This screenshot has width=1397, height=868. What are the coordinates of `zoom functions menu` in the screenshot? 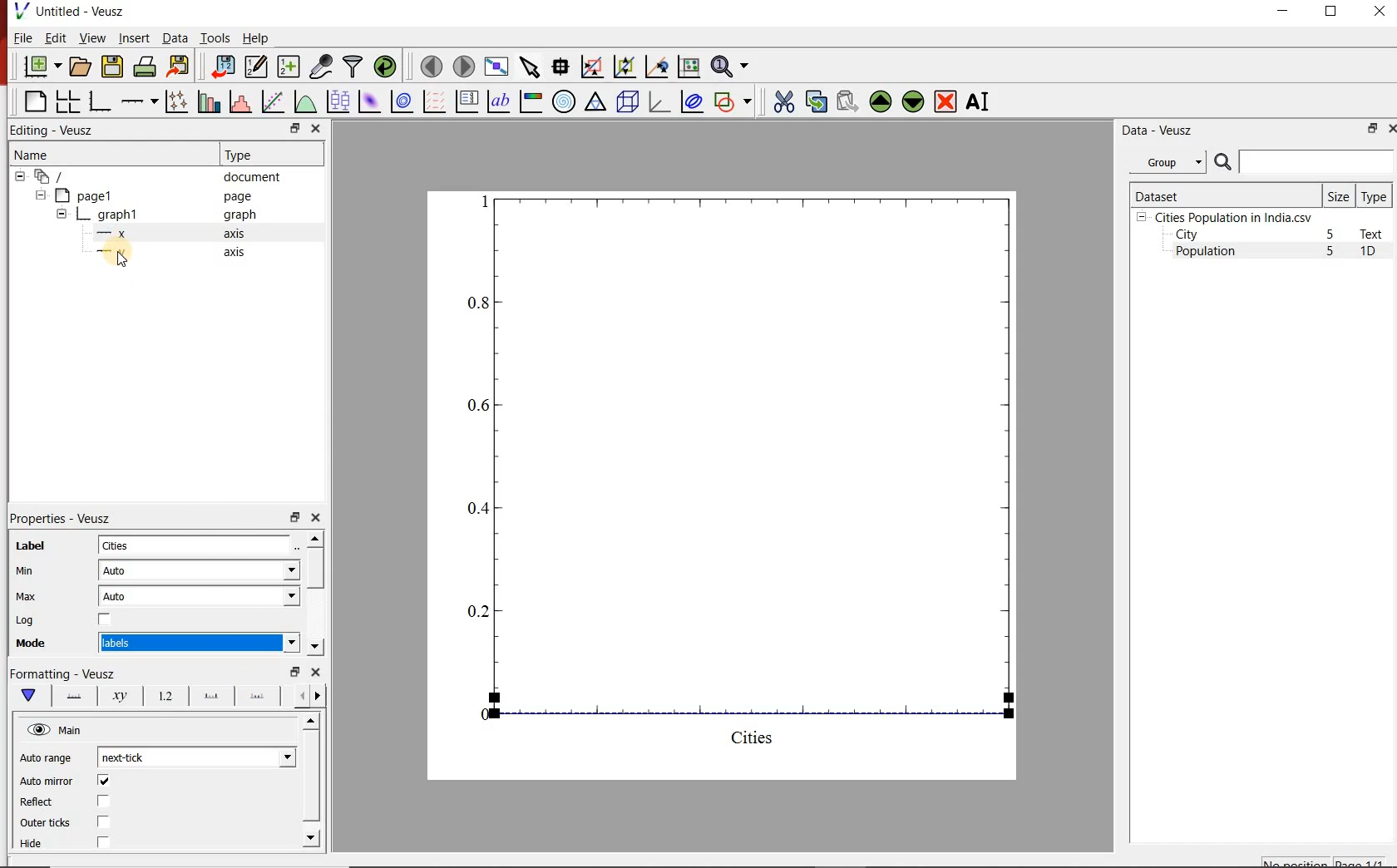 It's located at (733, 67).